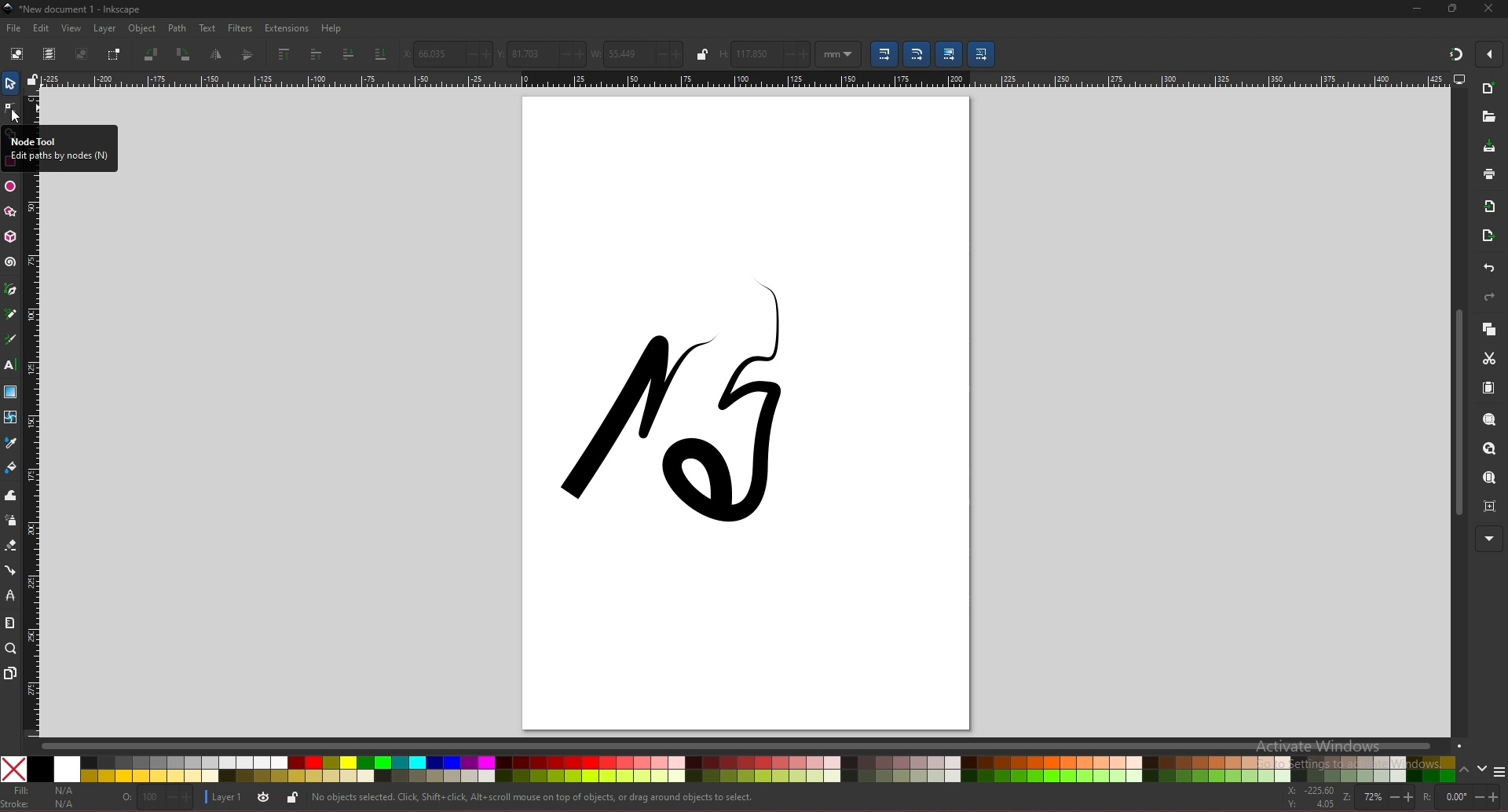 Image resolution: width=1508 pixels, height=812 pixels. I want to click on edit, so click(42, 28).